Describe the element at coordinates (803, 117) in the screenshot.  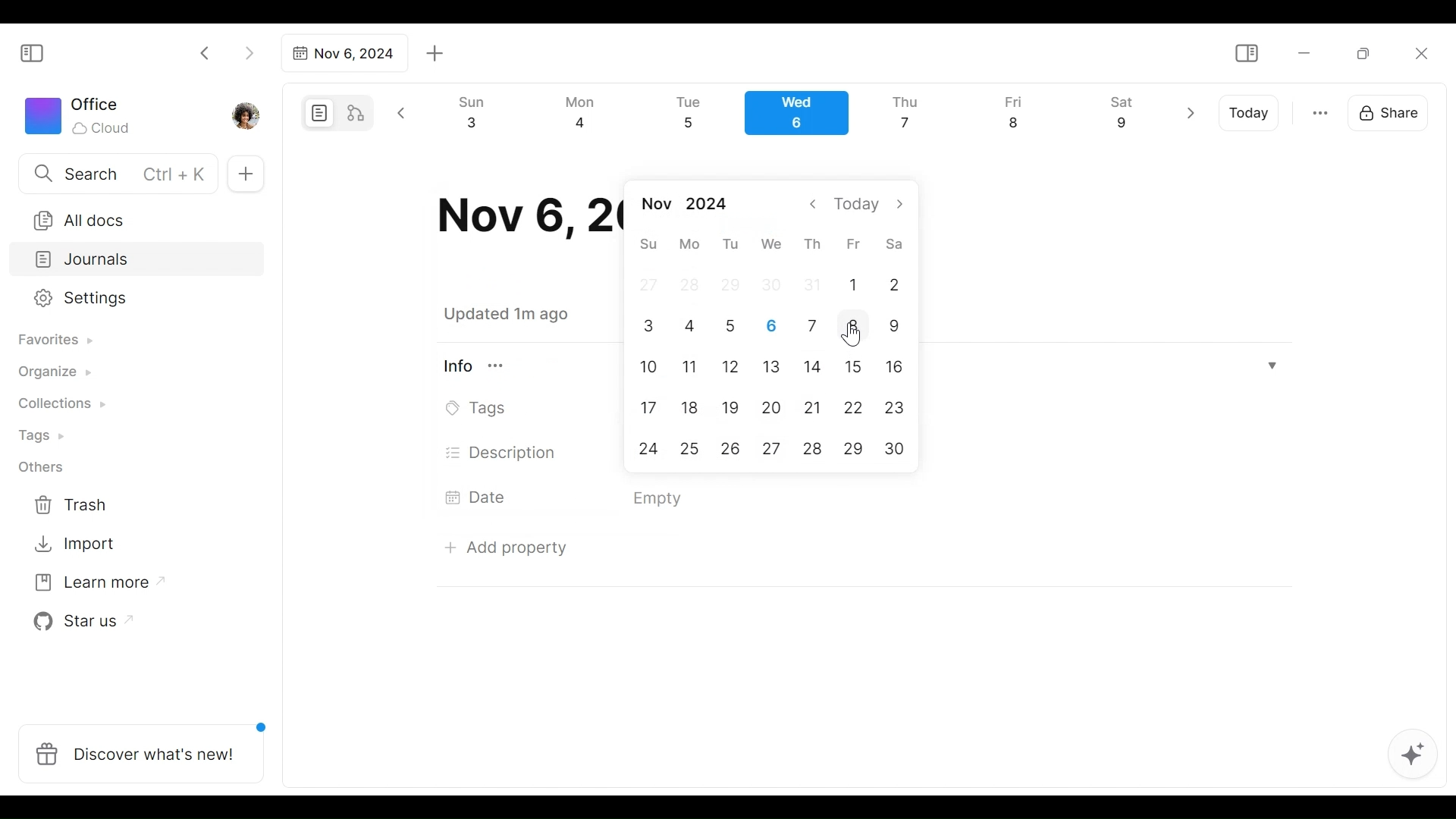
I see `Calendar` at that location.